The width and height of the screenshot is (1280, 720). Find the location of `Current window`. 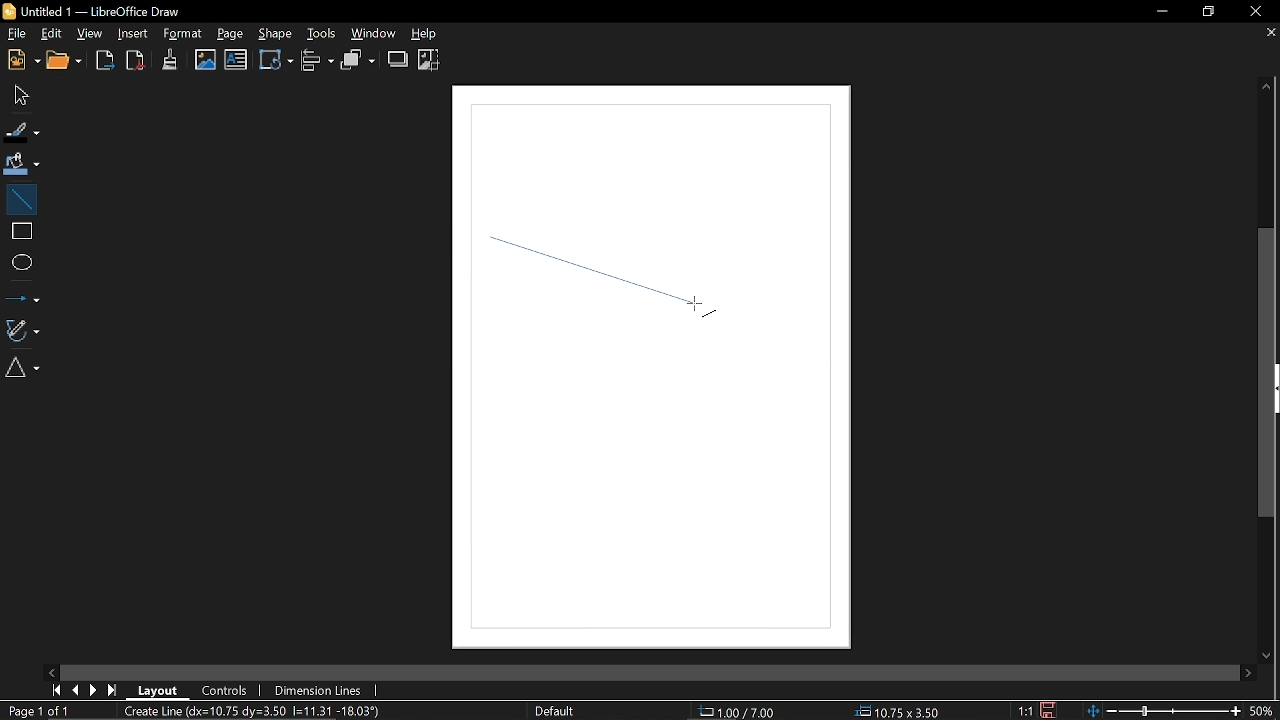

Current window is located at coordinates (102, 11).